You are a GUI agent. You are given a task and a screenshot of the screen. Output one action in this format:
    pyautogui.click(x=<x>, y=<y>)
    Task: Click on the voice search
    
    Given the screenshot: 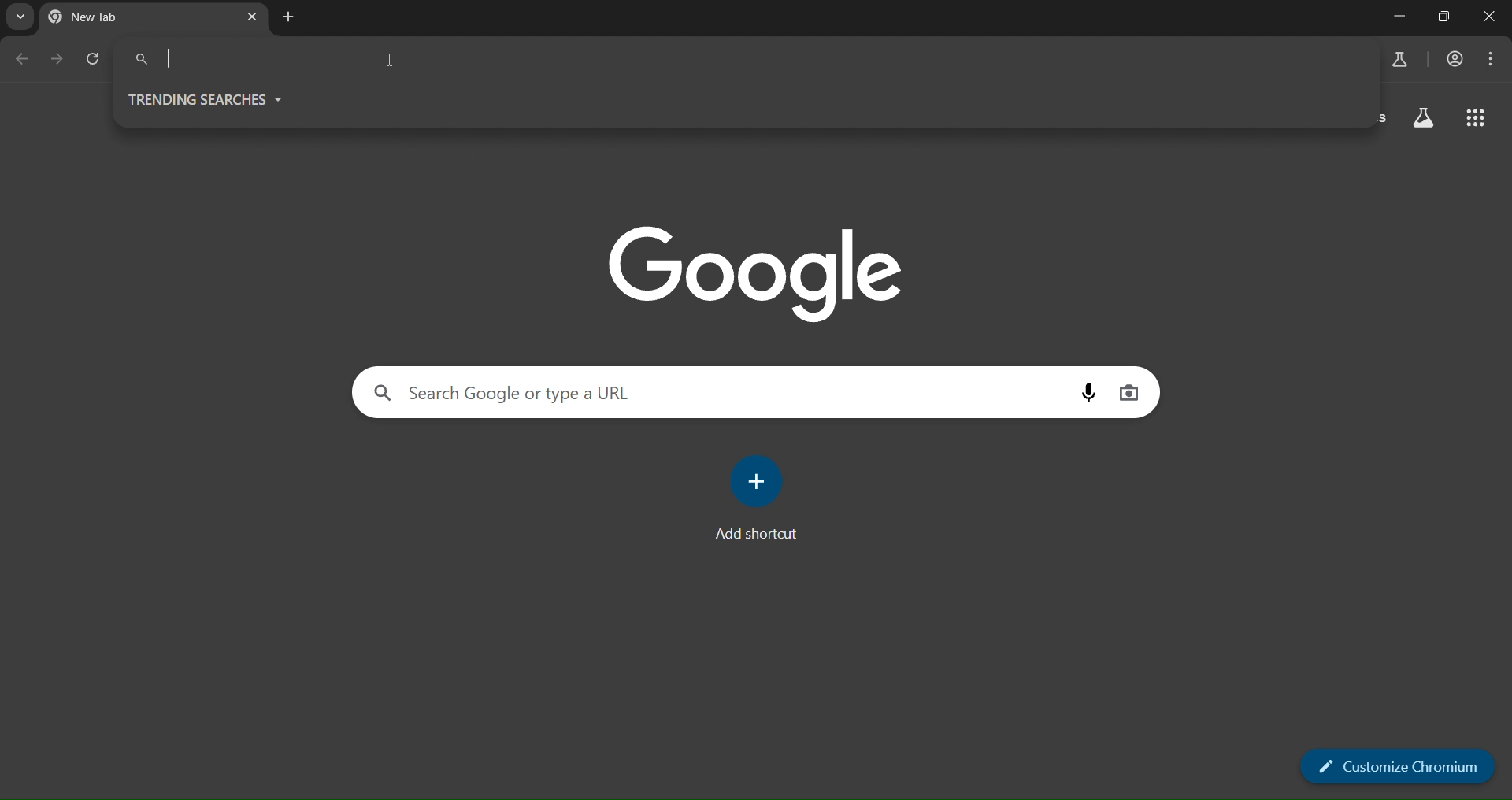 What is the action you would take?
    pyautogui.click(x=1093, y=391)
    